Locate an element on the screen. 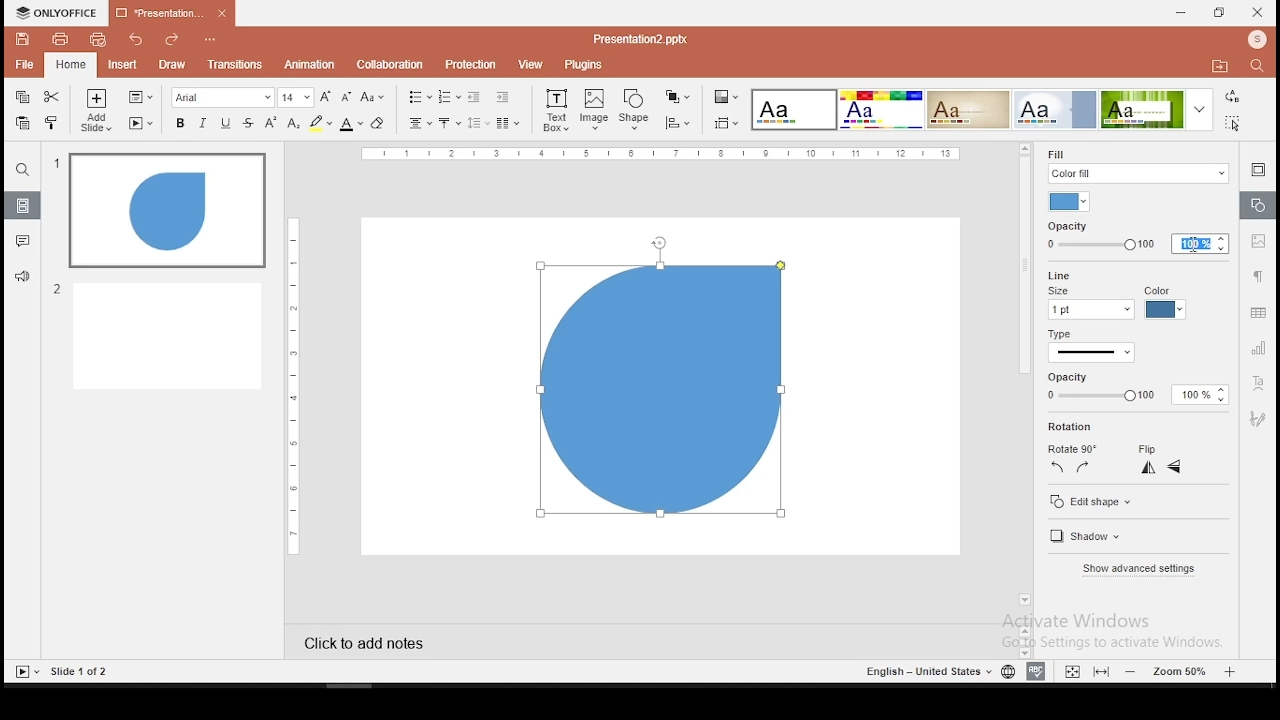  replace is located at coordinates (1232, 99).